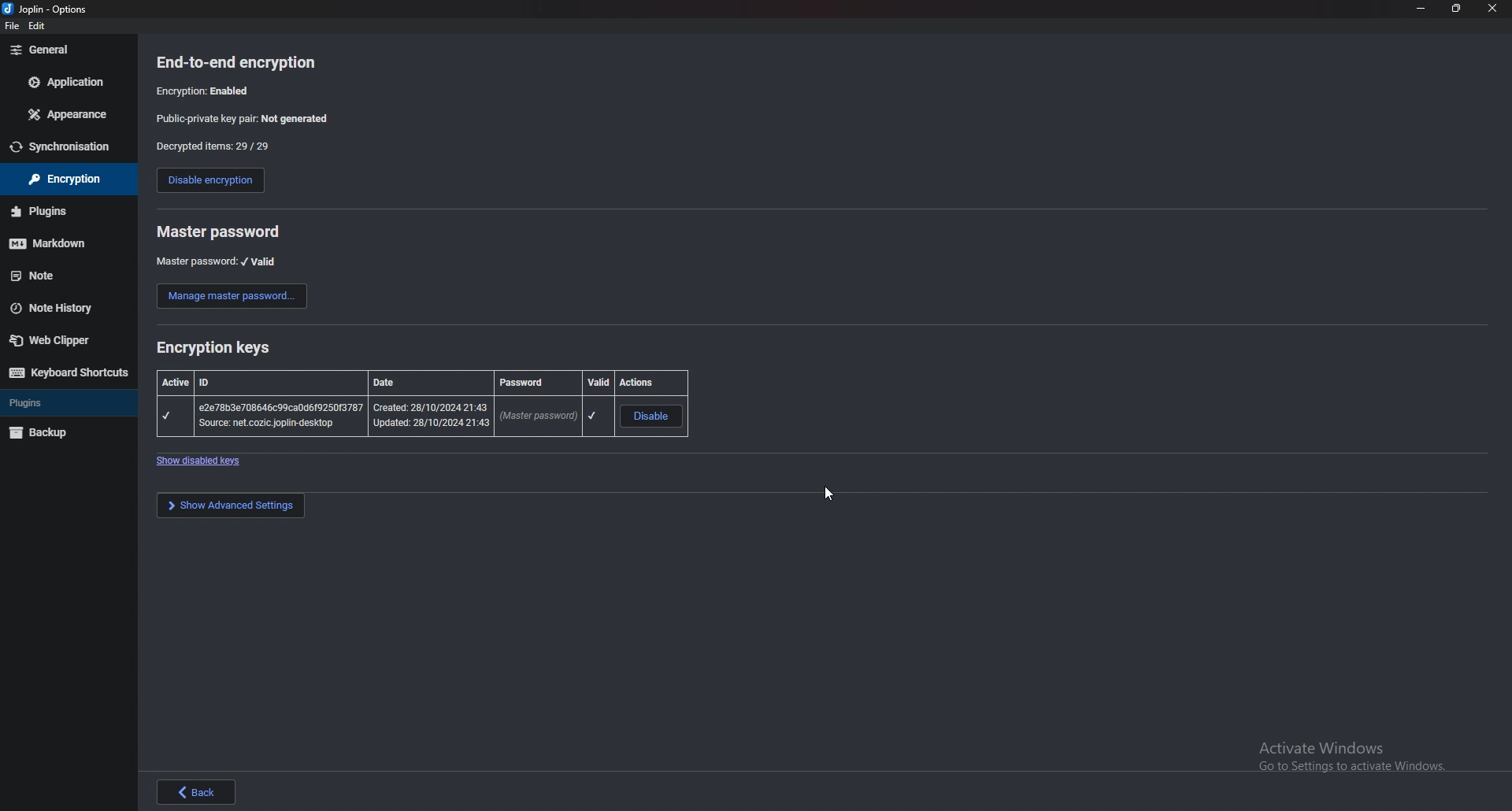  I want to click on , so click(61, 179).